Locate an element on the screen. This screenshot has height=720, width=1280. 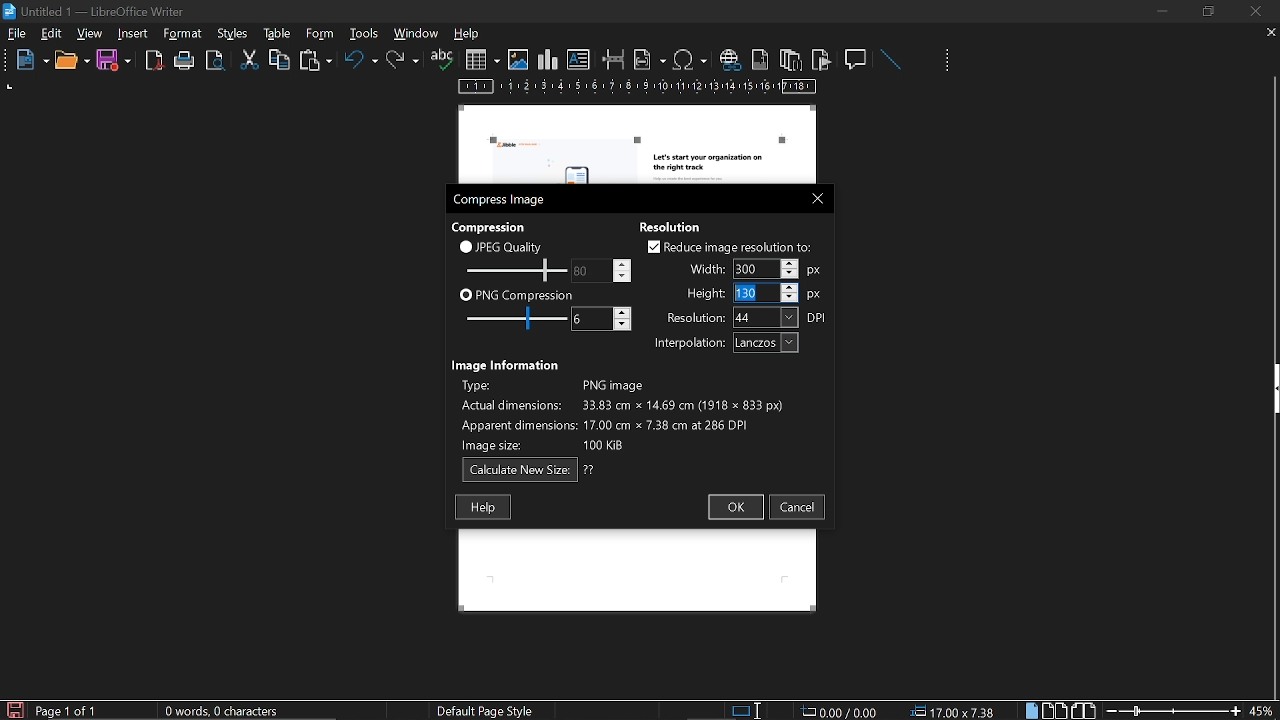
current window is located at coordinates (97, 10).